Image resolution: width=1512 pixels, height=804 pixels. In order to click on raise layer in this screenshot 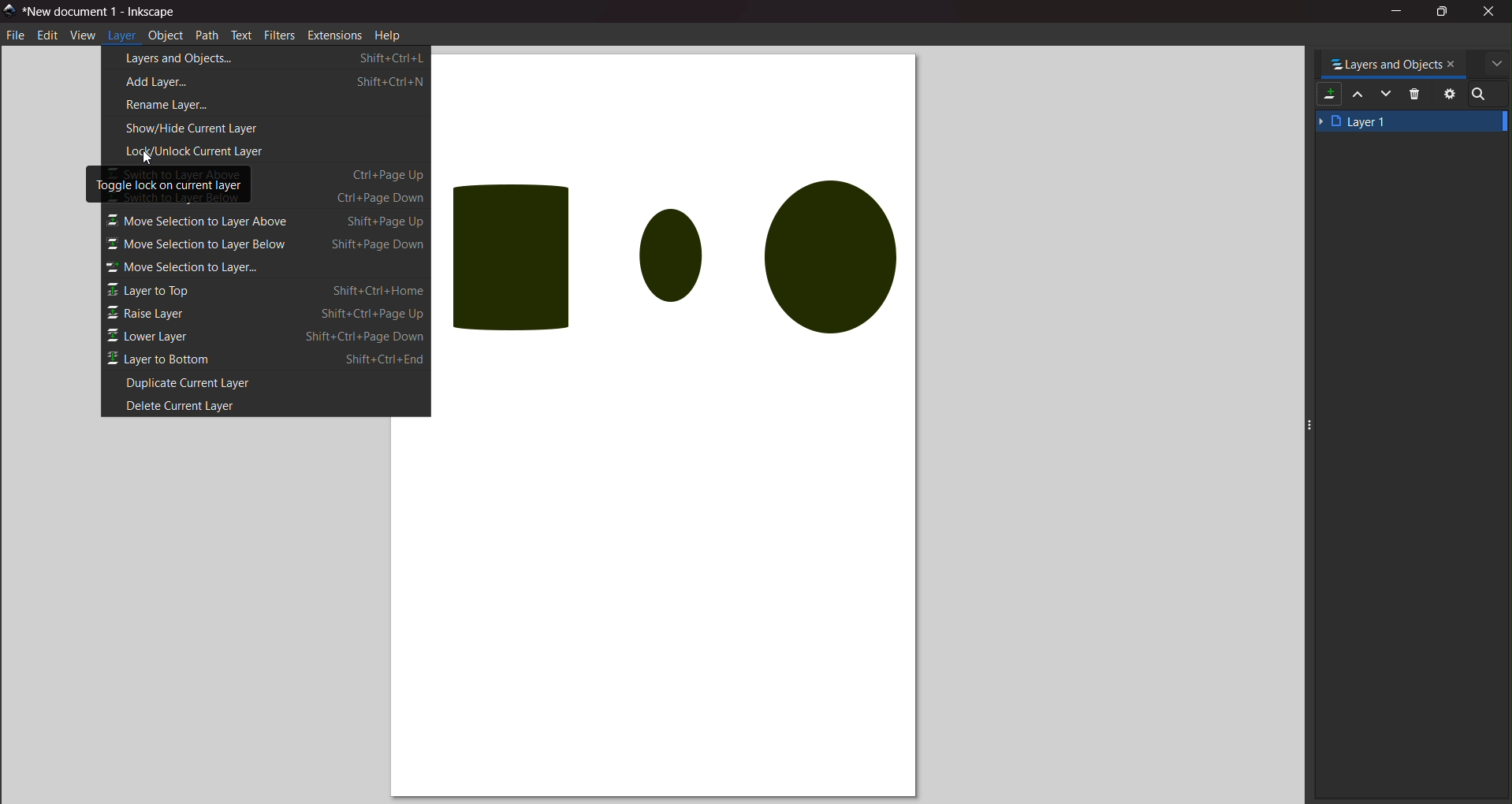, I will do `click(267, 313)`.